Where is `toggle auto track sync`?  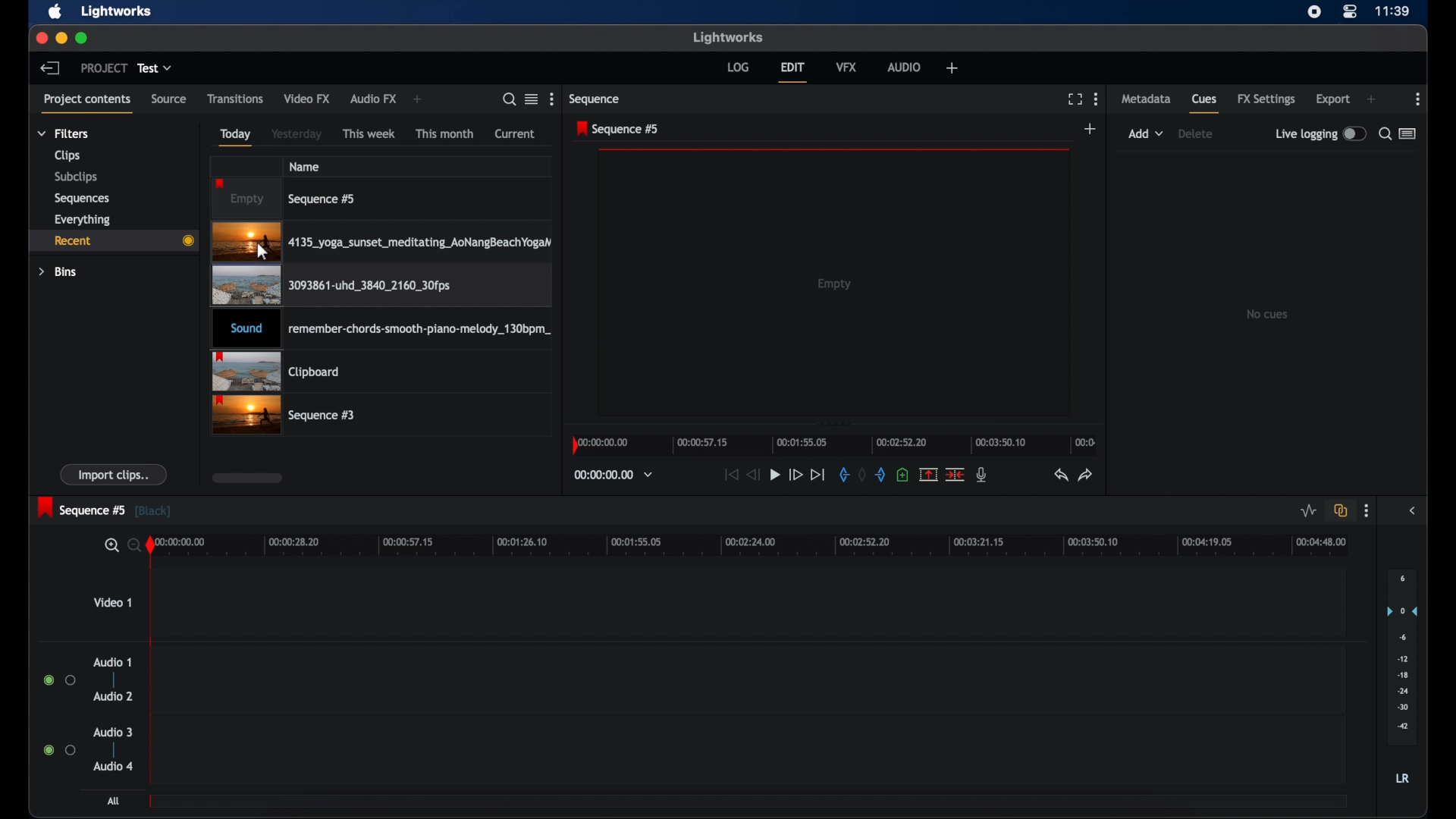
toggle auto track sync is located at coordinates (1341, 510).